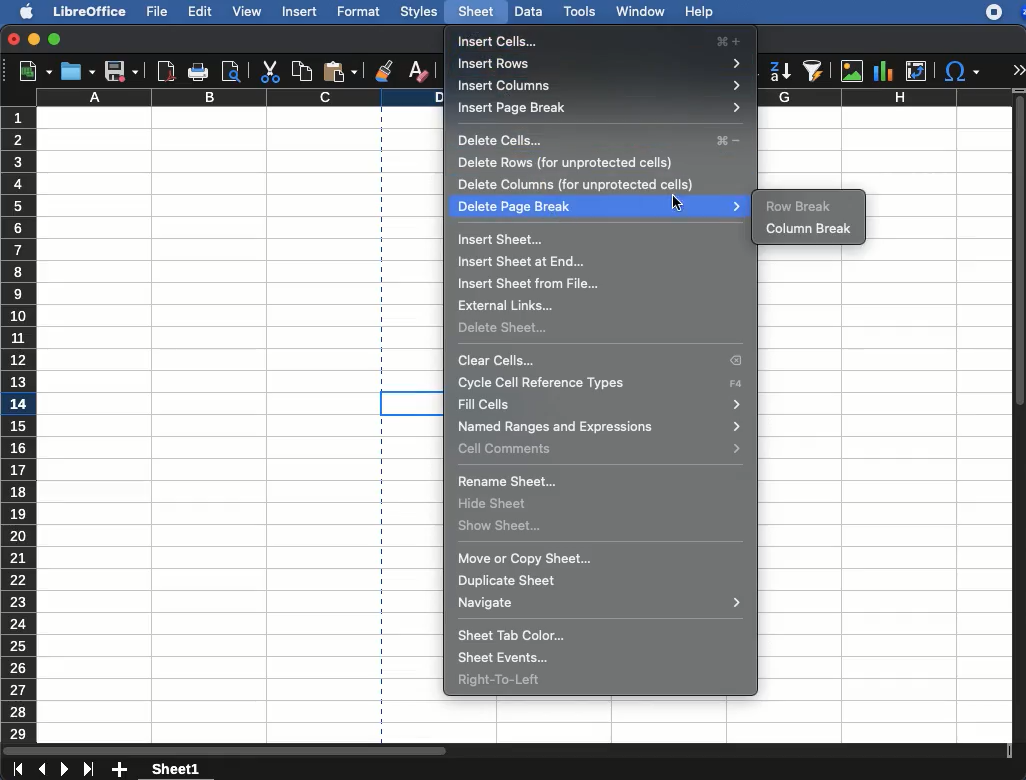  Describe the element at coordinates (523, 261) in the screenshot. I see `insert sheet at end` at that location.